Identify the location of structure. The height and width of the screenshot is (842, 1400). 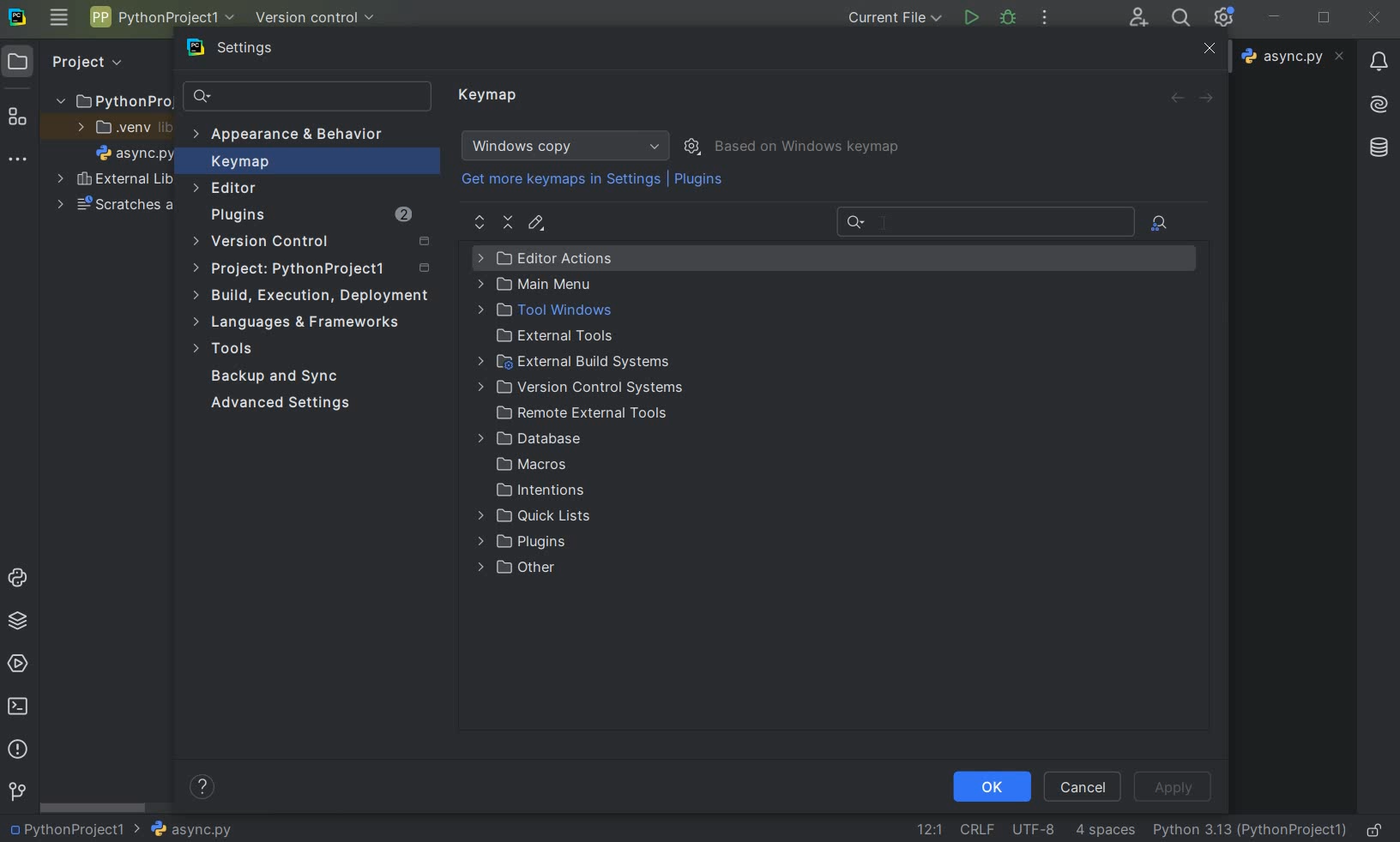
(18, 118).